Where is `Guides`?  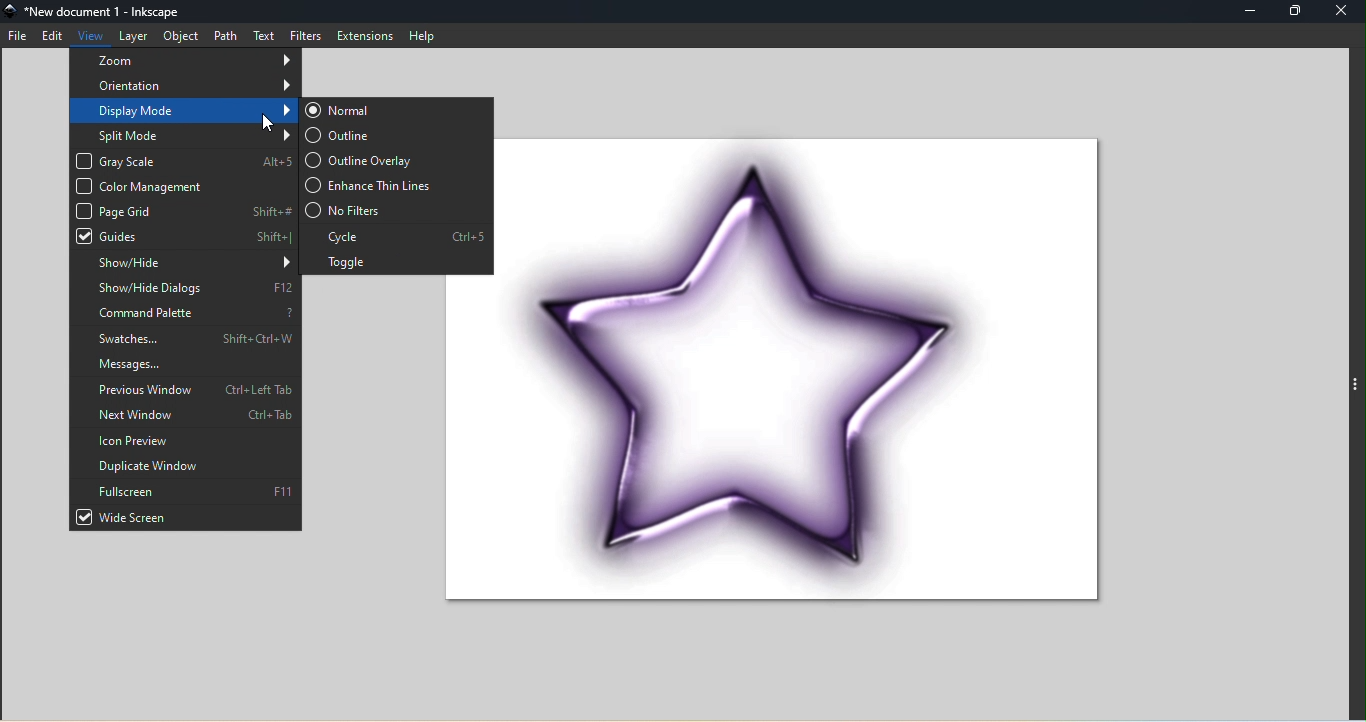
Guides is located at coordinates (186, 236).